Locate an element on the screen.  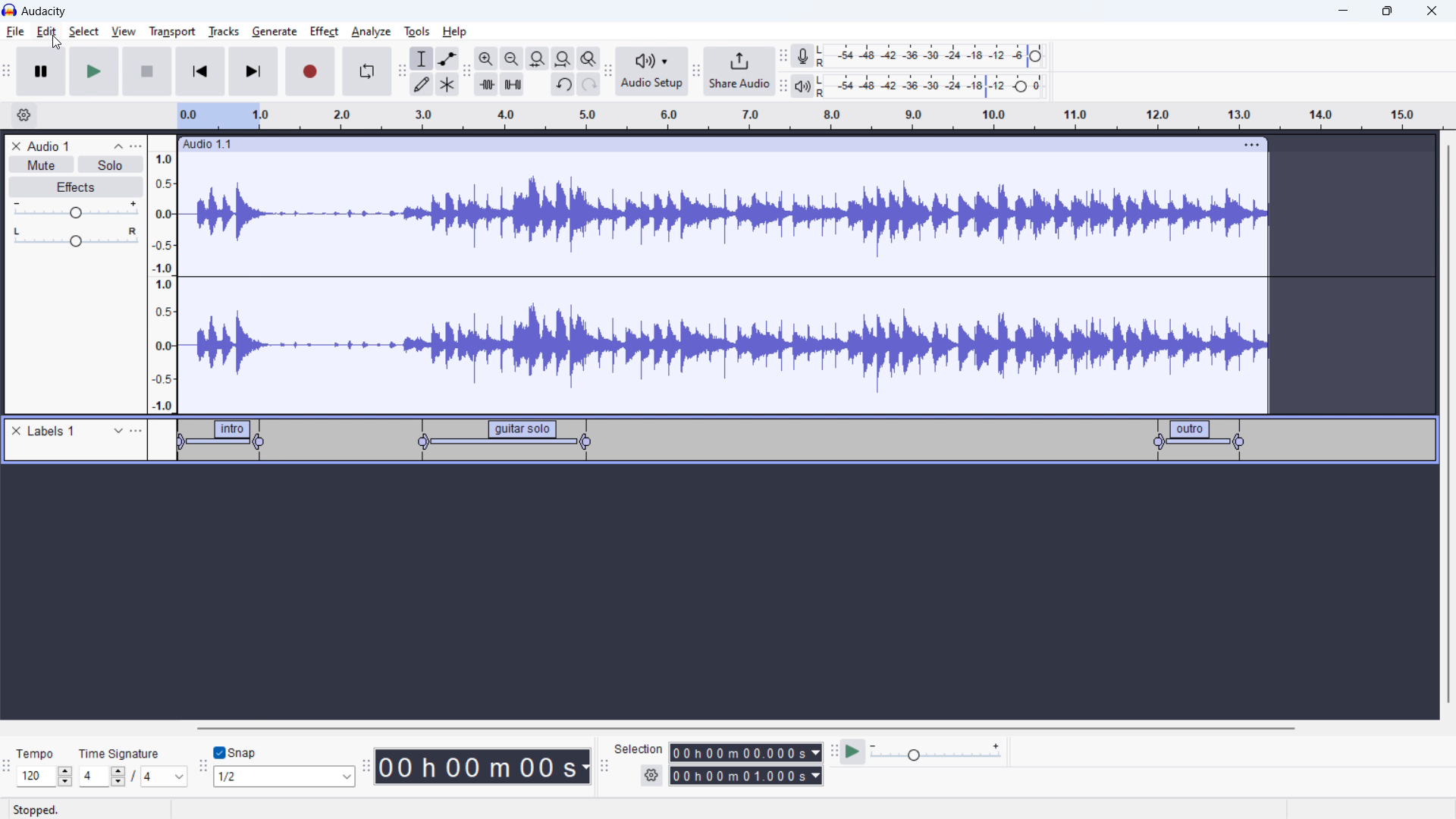
draw tool is located at coordinates (422, 83).